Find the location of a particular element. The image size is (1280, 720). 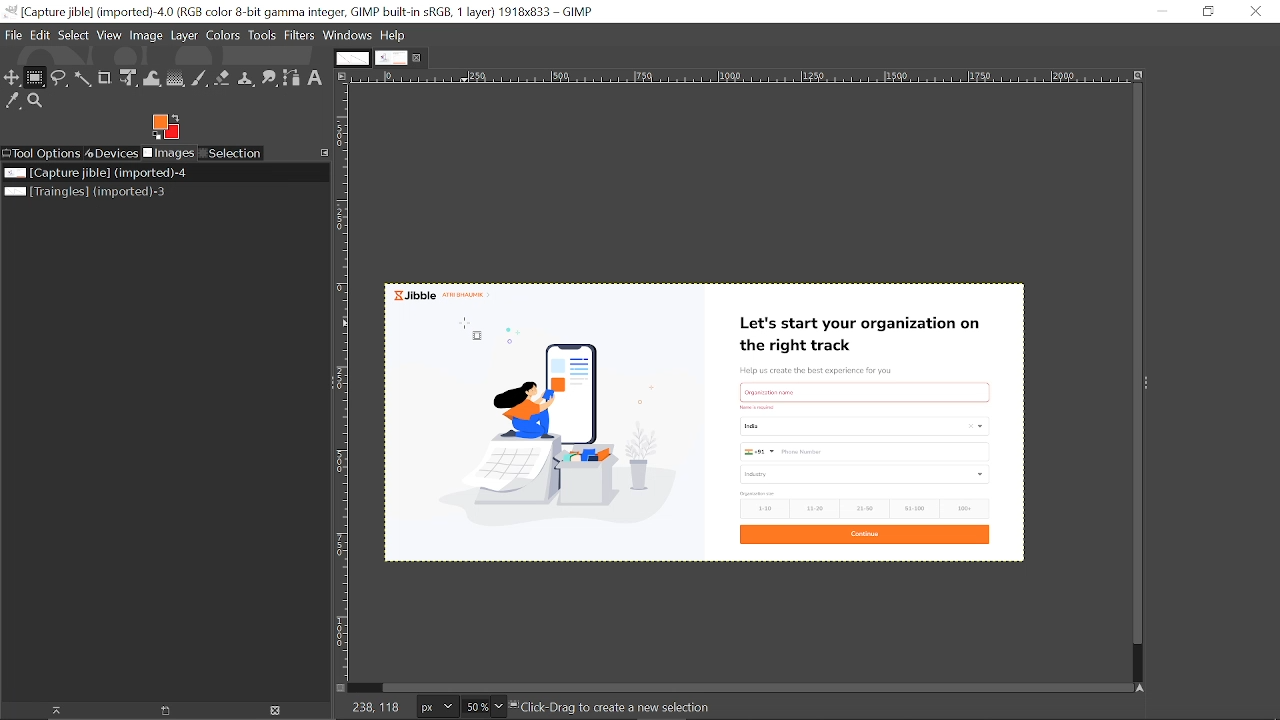

Fuzzy select tool is located at coordinates (82, 79).